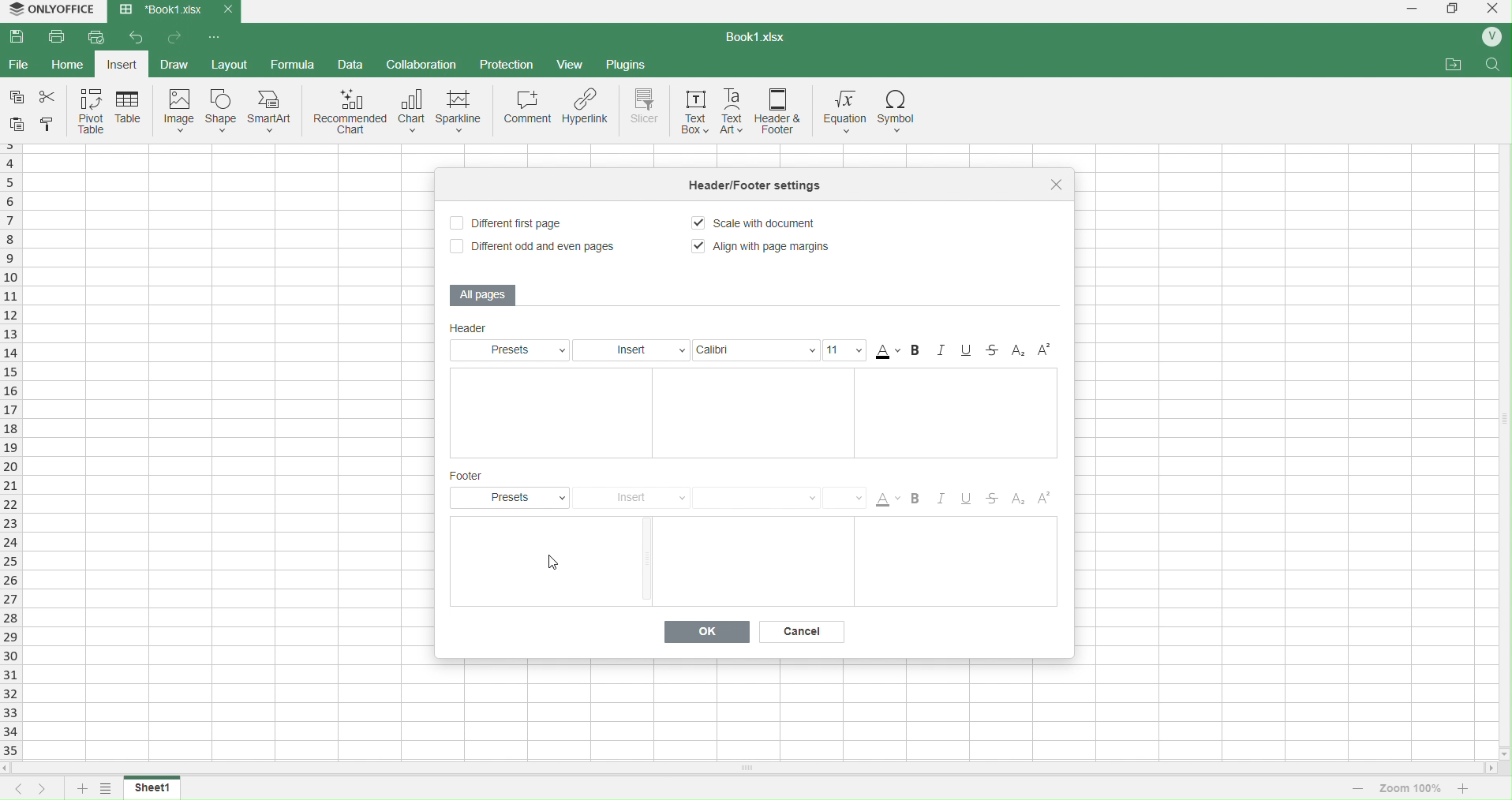  Describe the element at coordinates (996, 352) in the screenshot. I see `Strikethrough` at that location.